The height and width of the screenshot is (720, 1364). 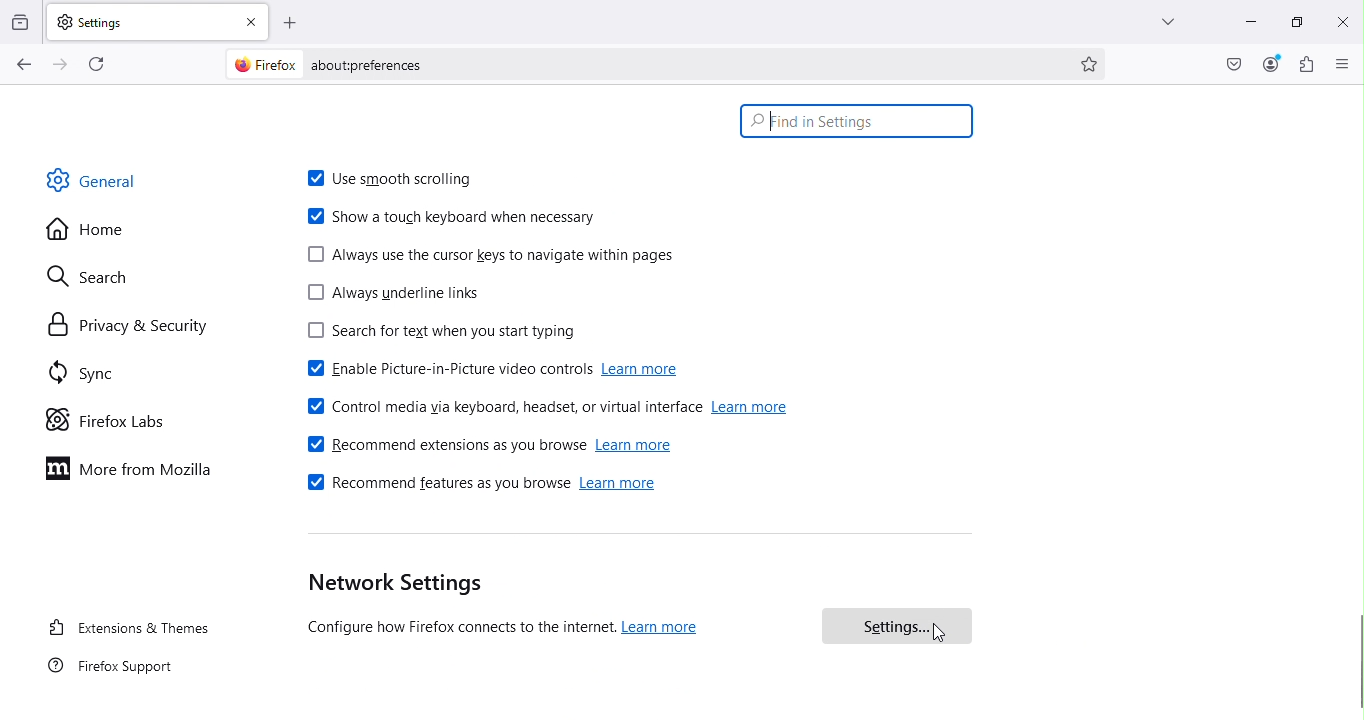 What do you see at coordinates (99, 273) in the screenshot?
I see `Search` at bounding box center [99, 273].